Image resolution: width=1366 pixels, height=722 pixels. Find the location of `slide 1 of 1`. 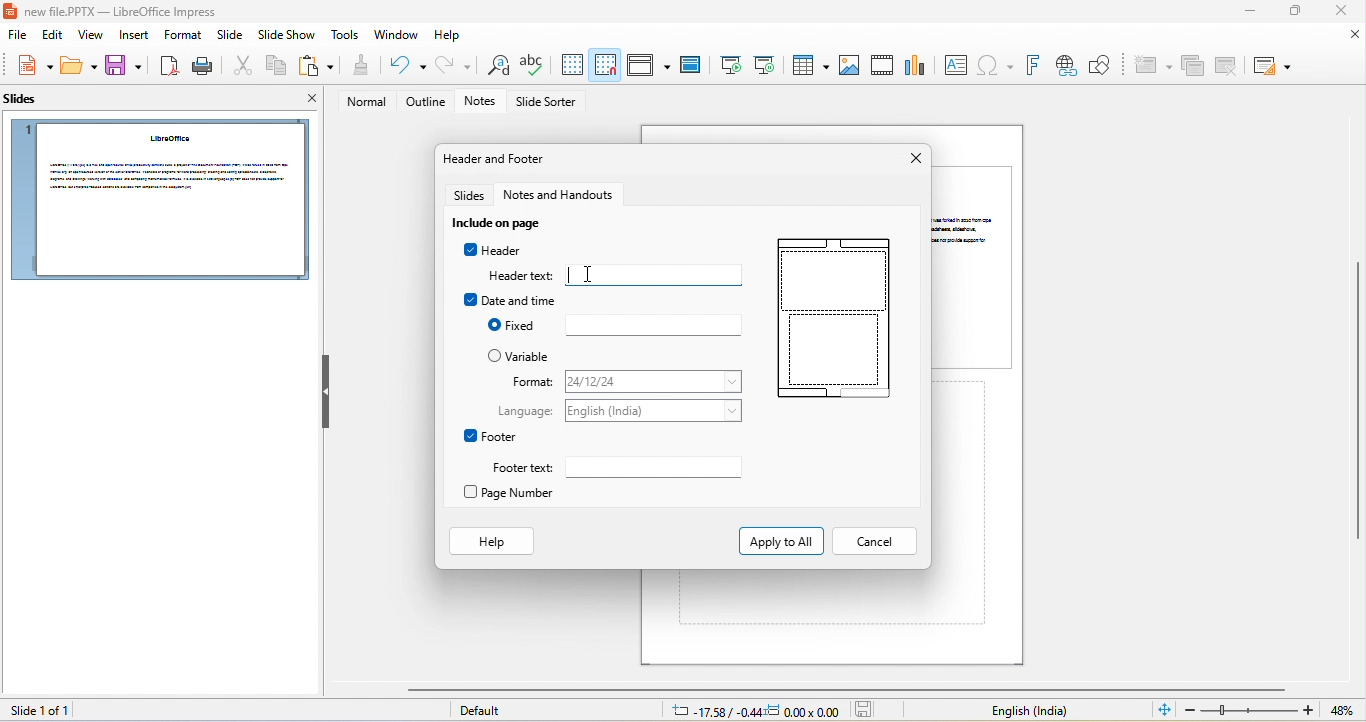

slide 1 of 1 is located at coordinates (37, 710).